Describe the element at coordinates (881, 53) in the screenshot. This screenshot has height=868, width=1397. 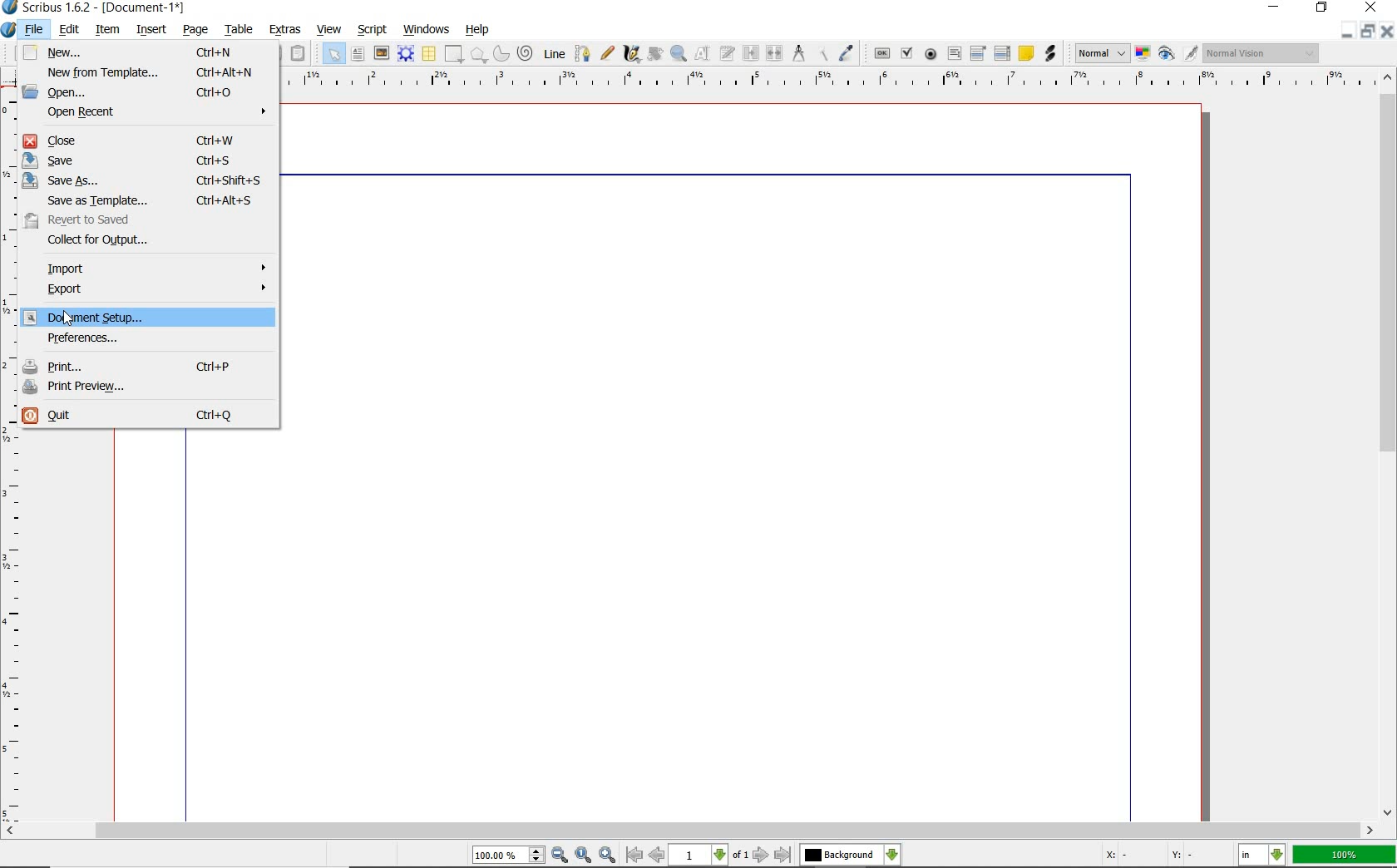
I see `pdf push button` at that location.